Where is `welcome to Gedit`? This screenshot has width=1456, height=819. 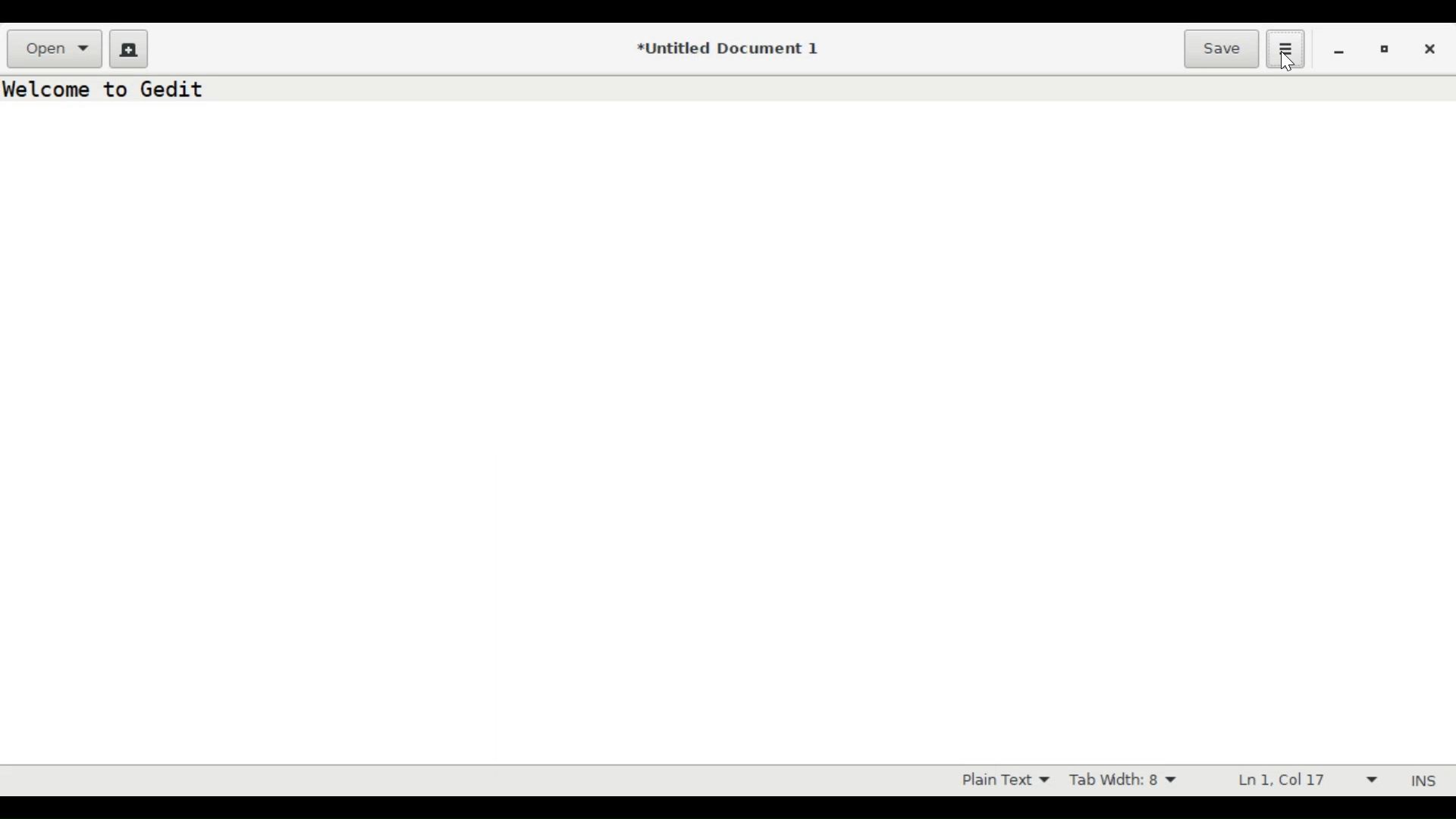
welcome to Gedit is located at coordinates (112, 90).